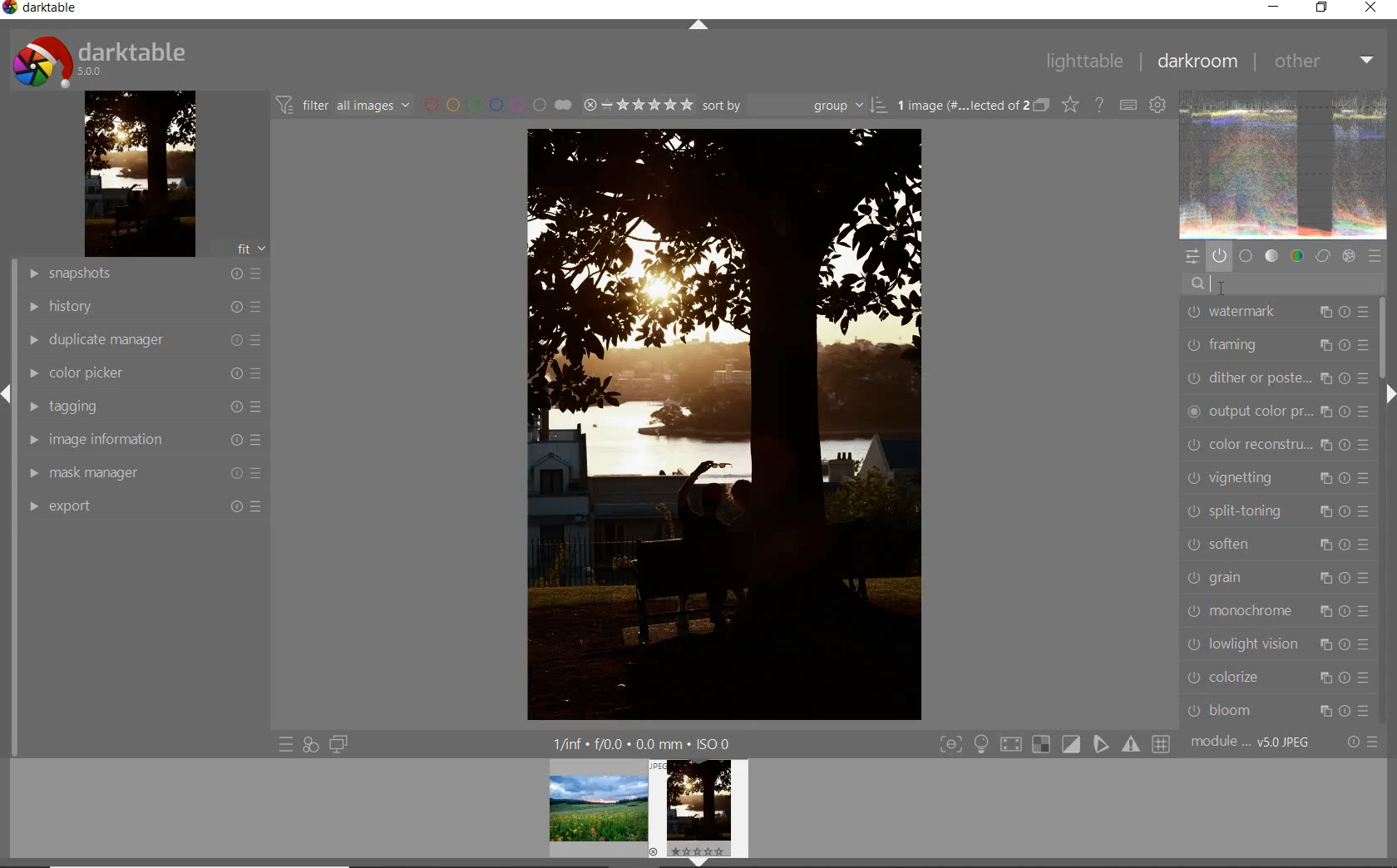 This screenshot has height=868, width=1397. Describe the element at coordinates (1276, 312) in the screenshot. I see `watermark` at that location.